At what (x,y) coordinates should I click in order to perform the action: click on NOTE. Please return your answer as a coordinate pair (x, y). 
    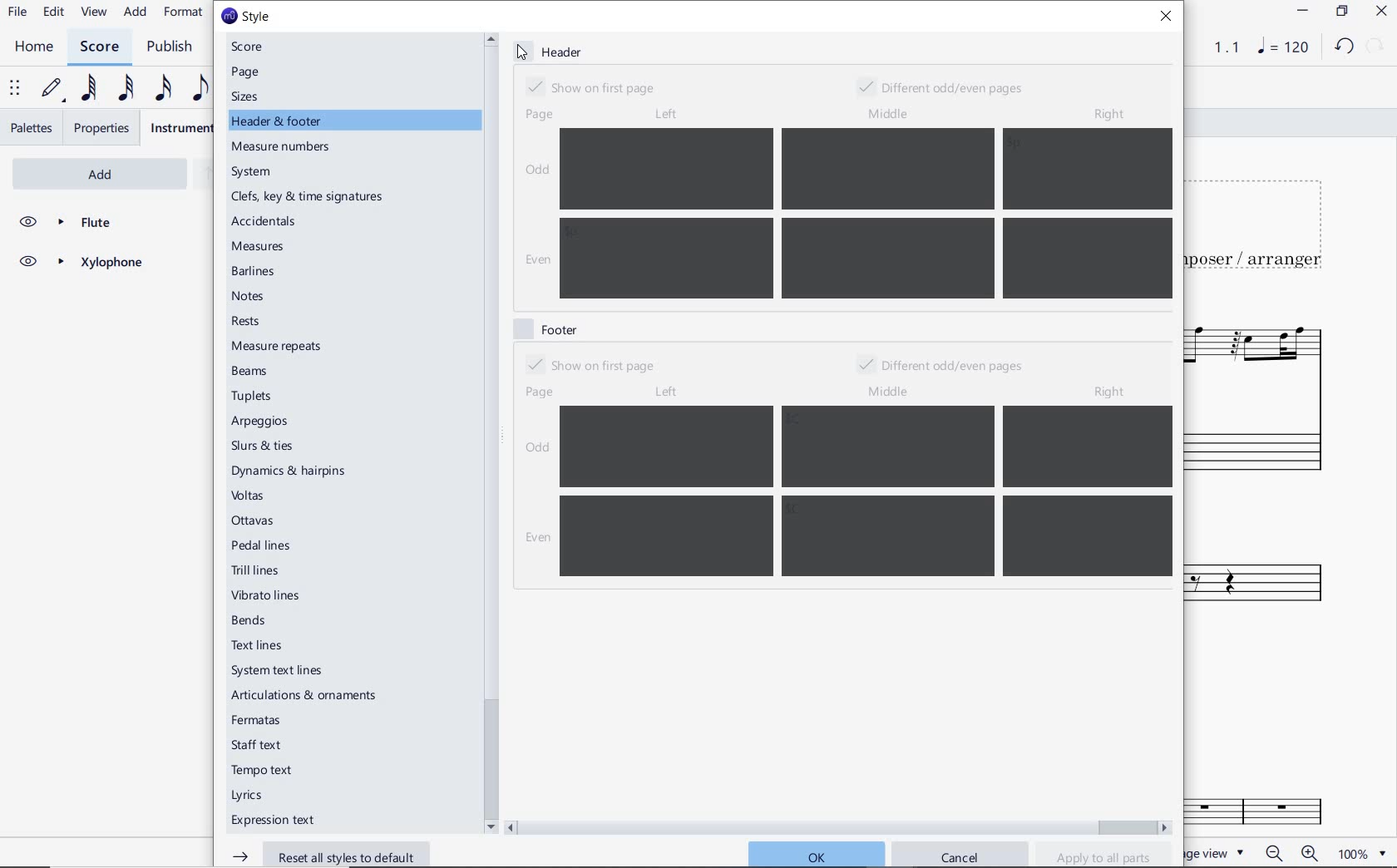
    Looking at the image, I should click on (1281, 48).